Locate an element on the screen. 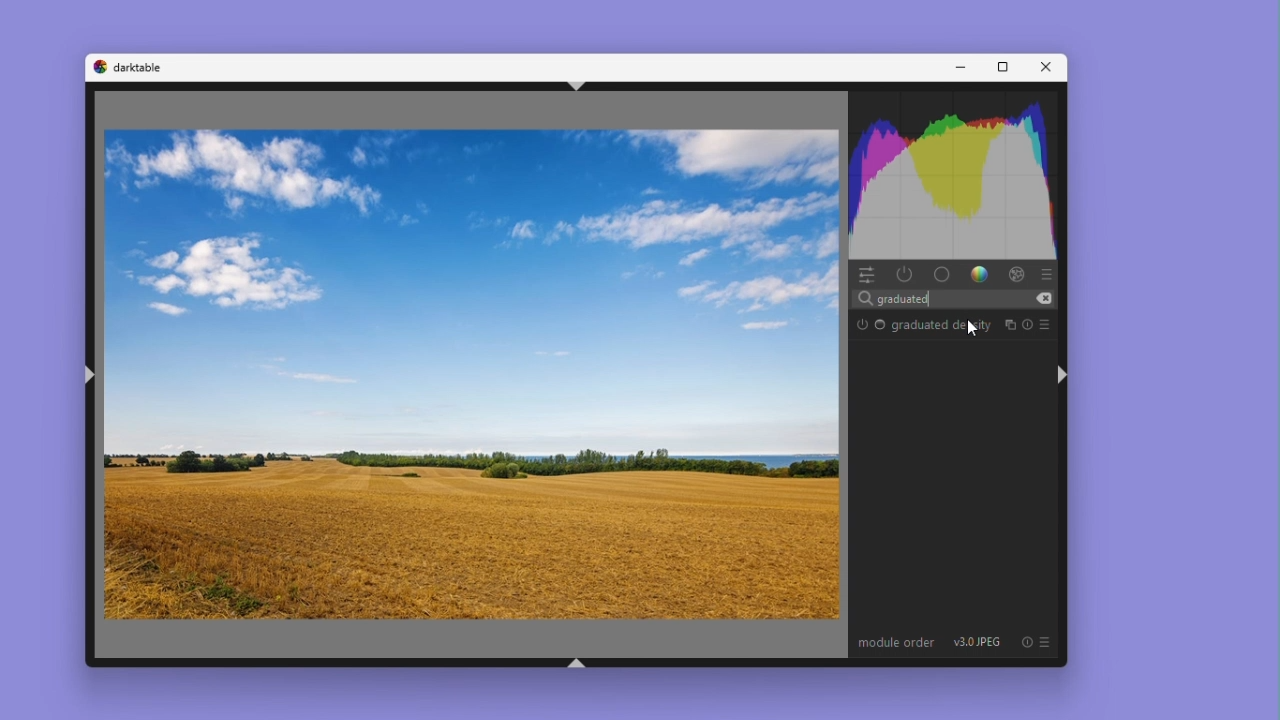 The height and width of the screenshot is (720, 1280). v3.0 JPEG is located at coordinates (979, 643).